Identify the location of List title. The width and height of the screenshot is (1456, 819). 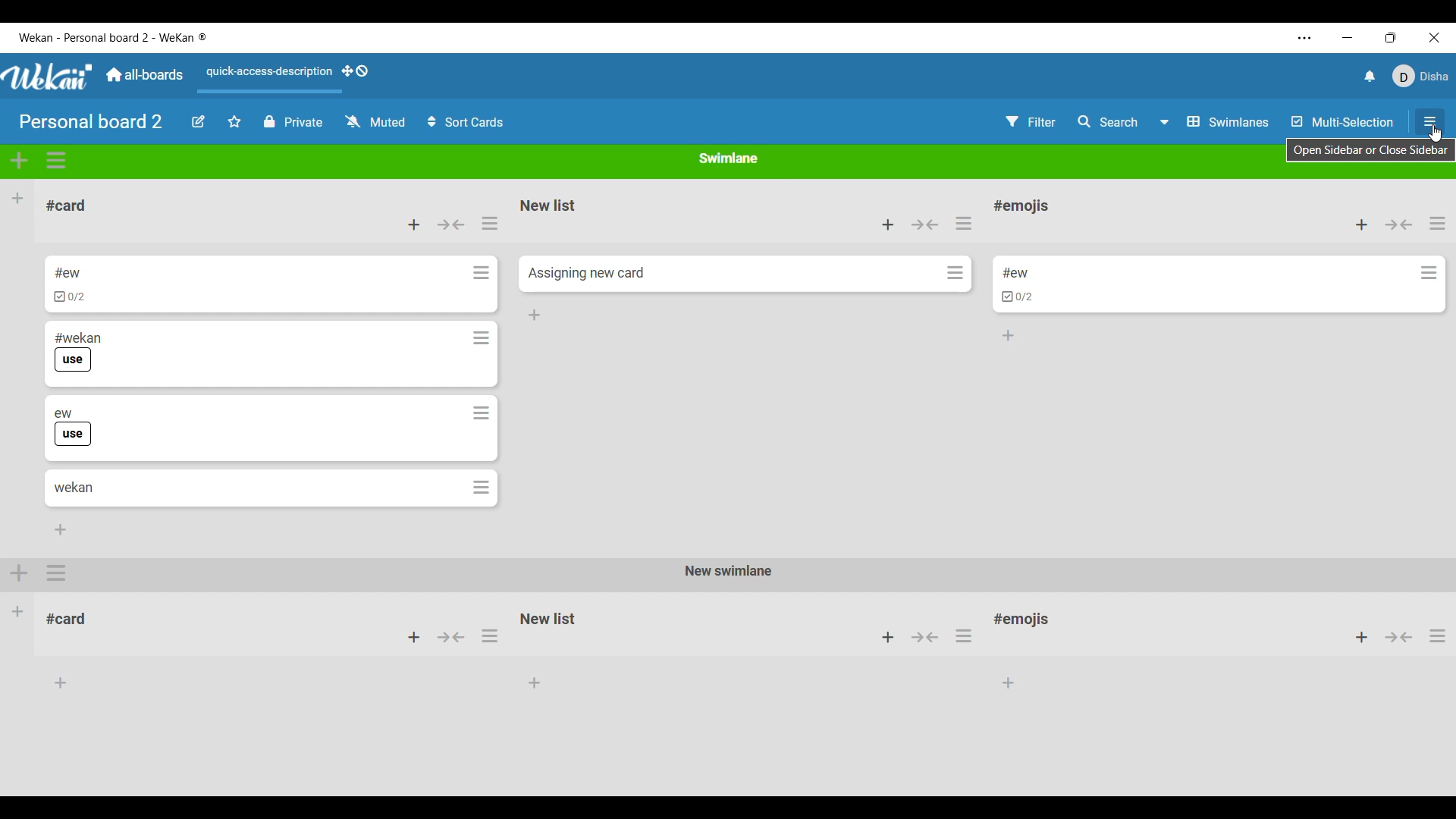
(549, 205).